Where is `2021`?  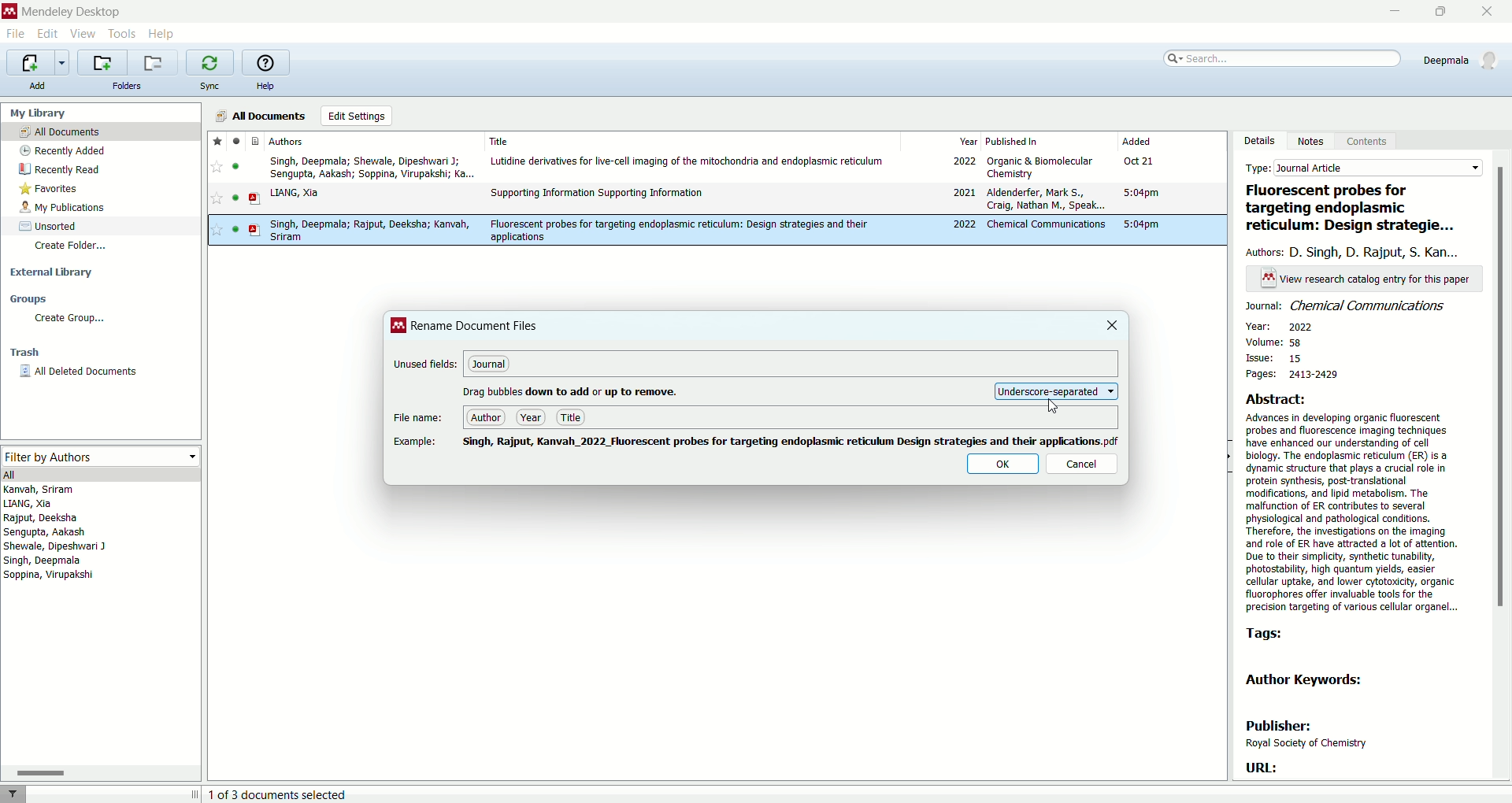 2021 is located at coordinates (961, 193).